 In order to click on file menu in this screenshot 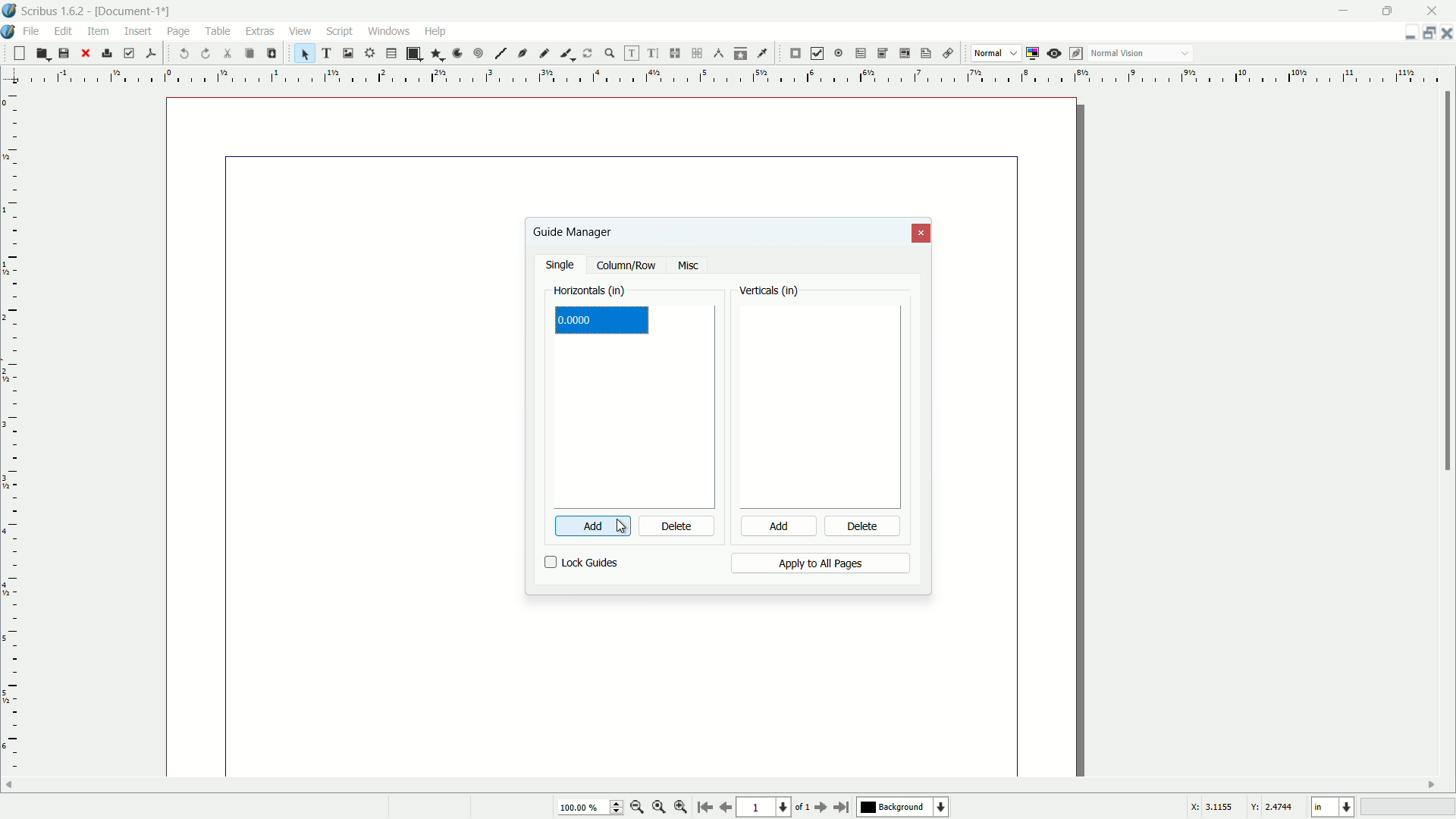, I will do `click(34, 30)`.